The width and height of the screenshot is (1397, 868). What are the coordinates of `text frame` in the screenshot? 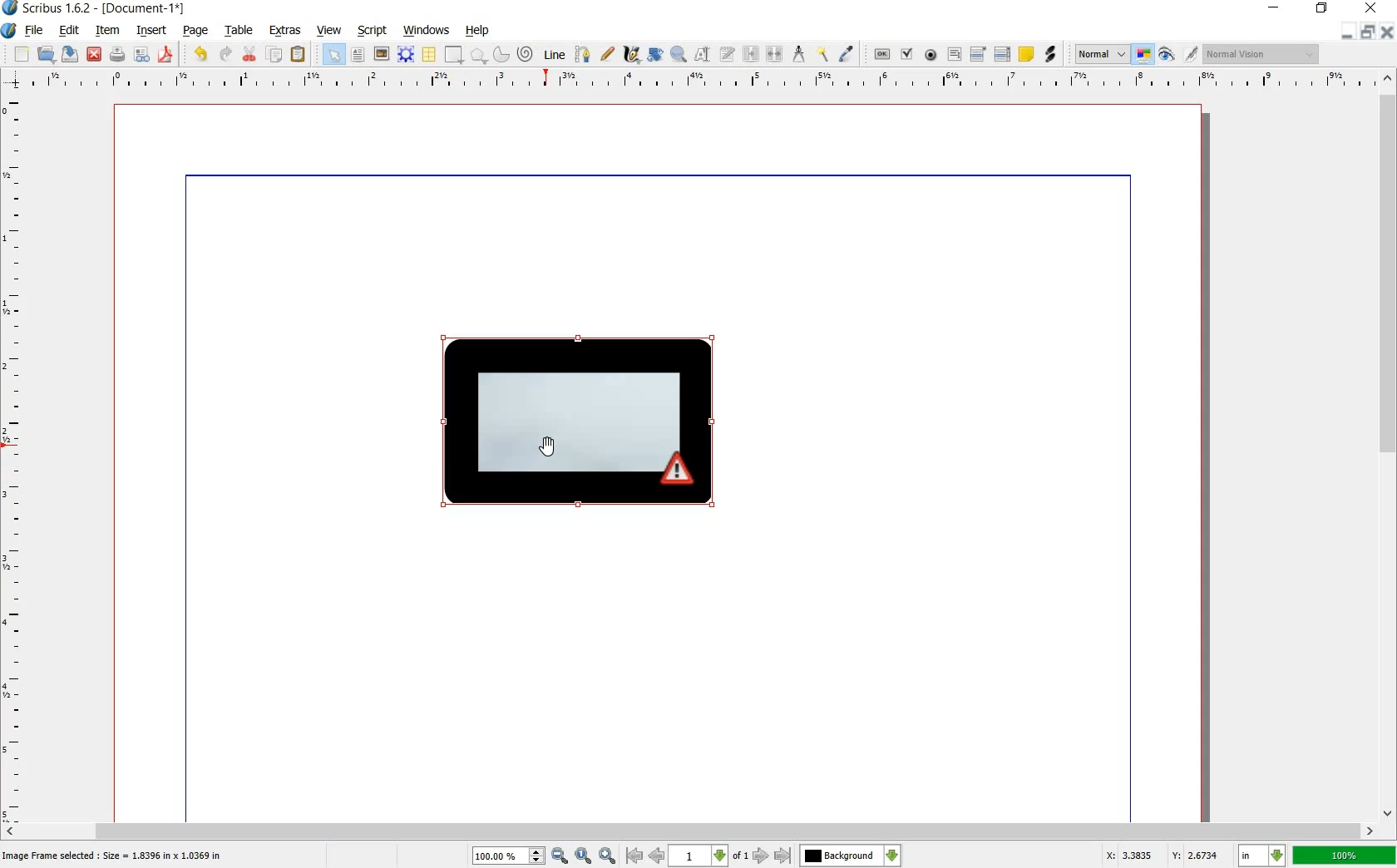 It's located at (357, 55).